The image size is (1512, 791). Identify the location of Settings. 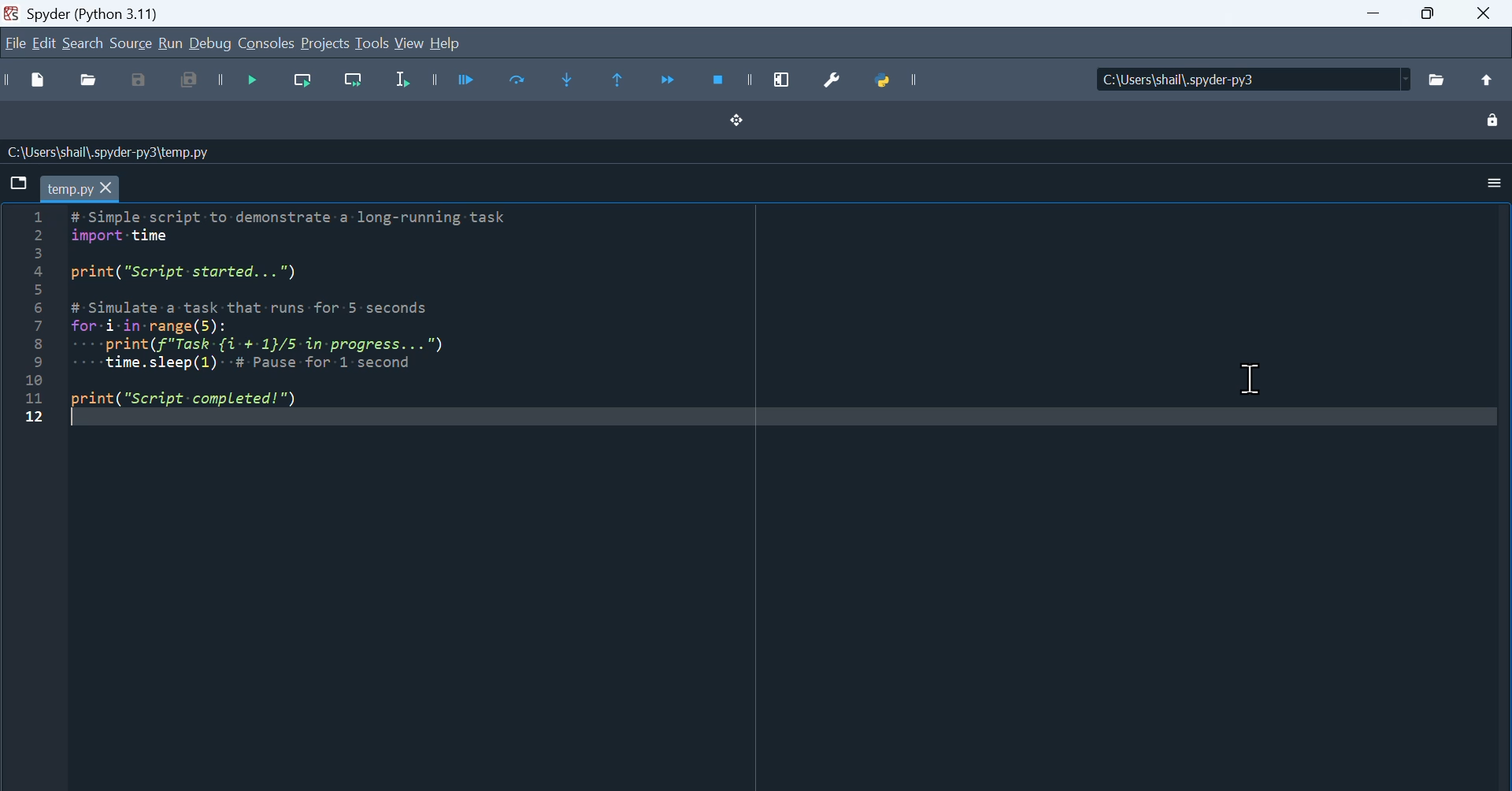
(1492, 181).